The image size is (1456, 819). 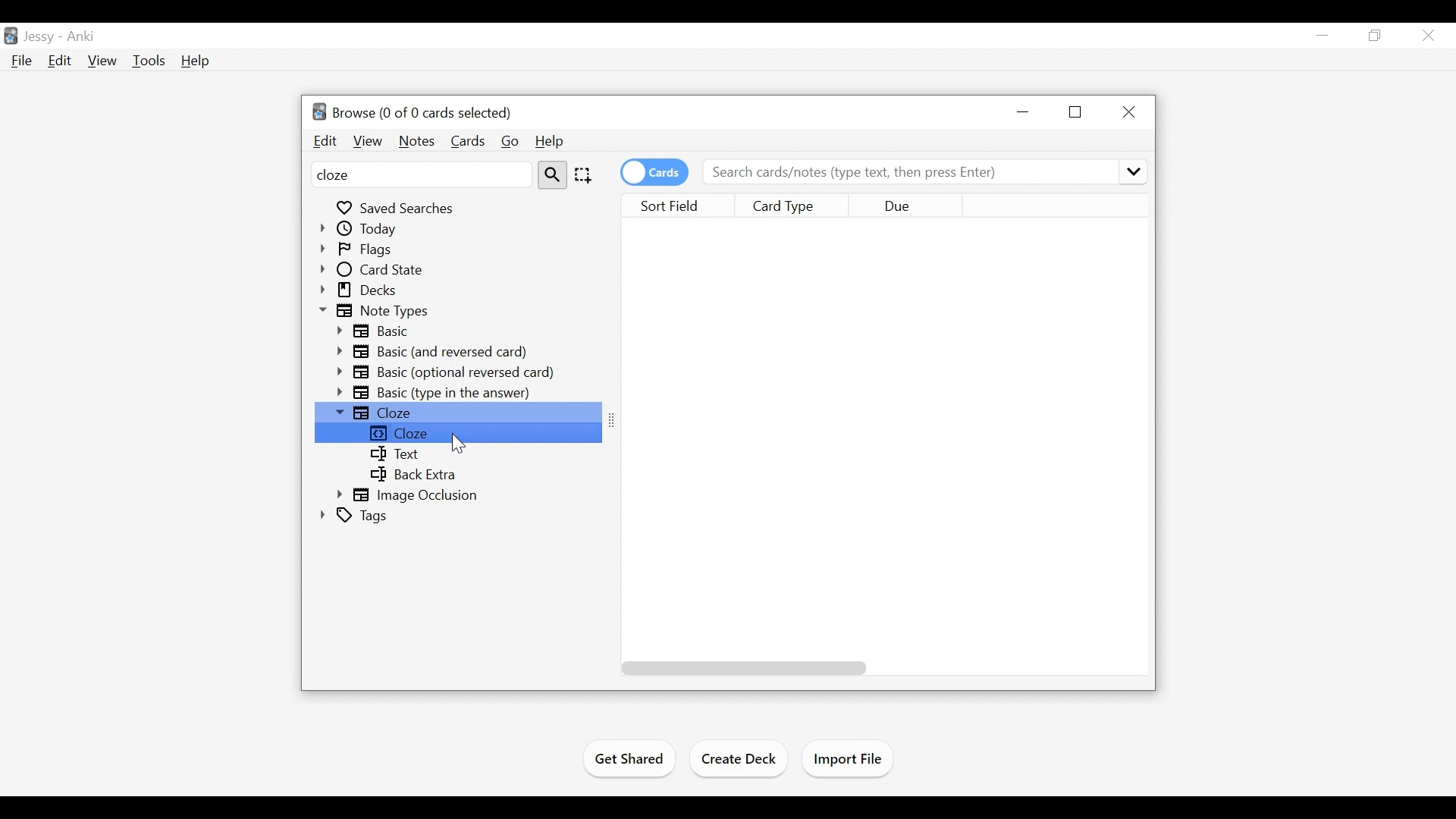 I want to click on Selection tool, so click(x=585, y=175).